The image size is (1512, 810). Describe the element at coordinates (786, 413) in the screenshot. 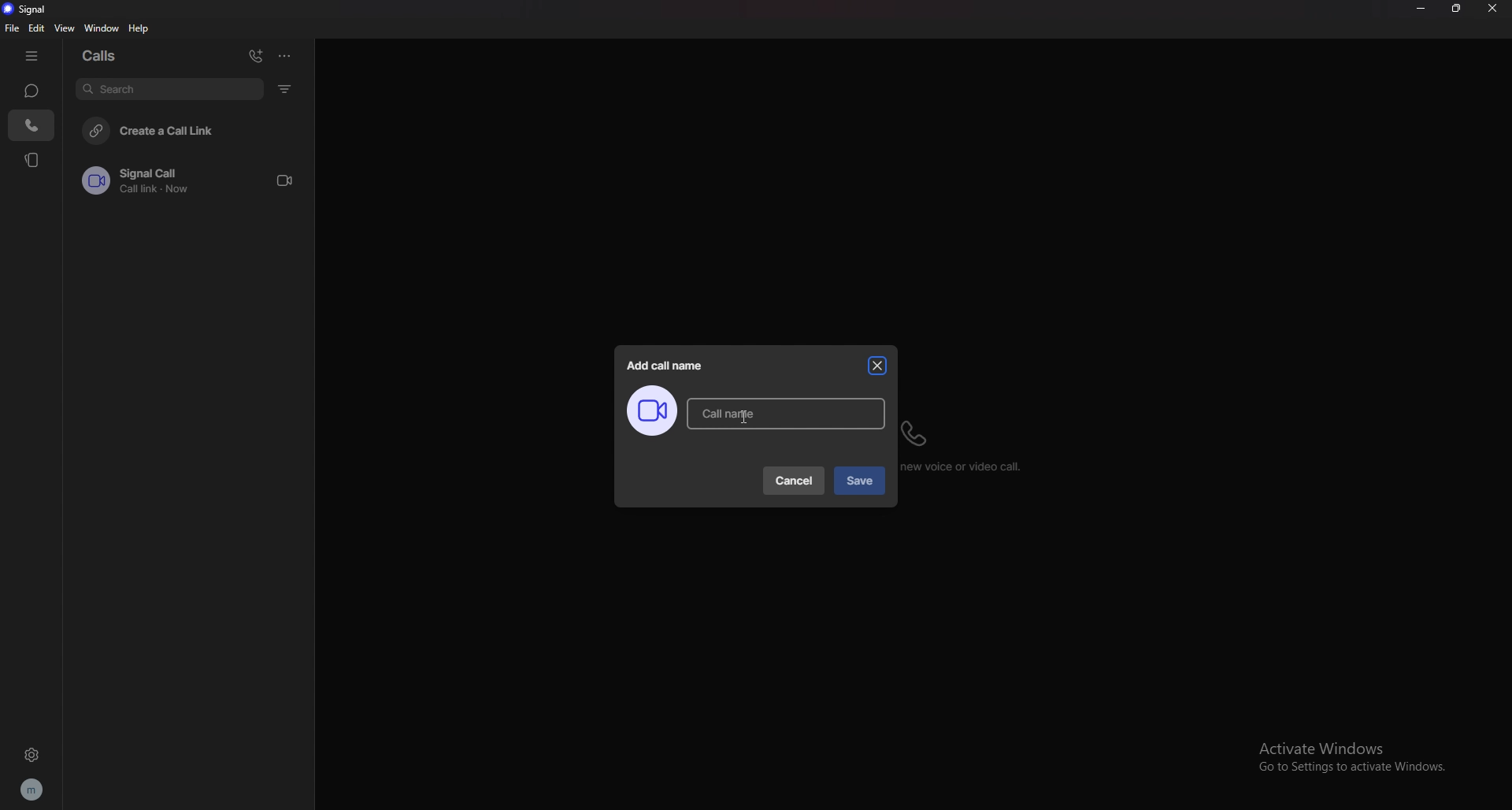

I see `input call name` at that location.